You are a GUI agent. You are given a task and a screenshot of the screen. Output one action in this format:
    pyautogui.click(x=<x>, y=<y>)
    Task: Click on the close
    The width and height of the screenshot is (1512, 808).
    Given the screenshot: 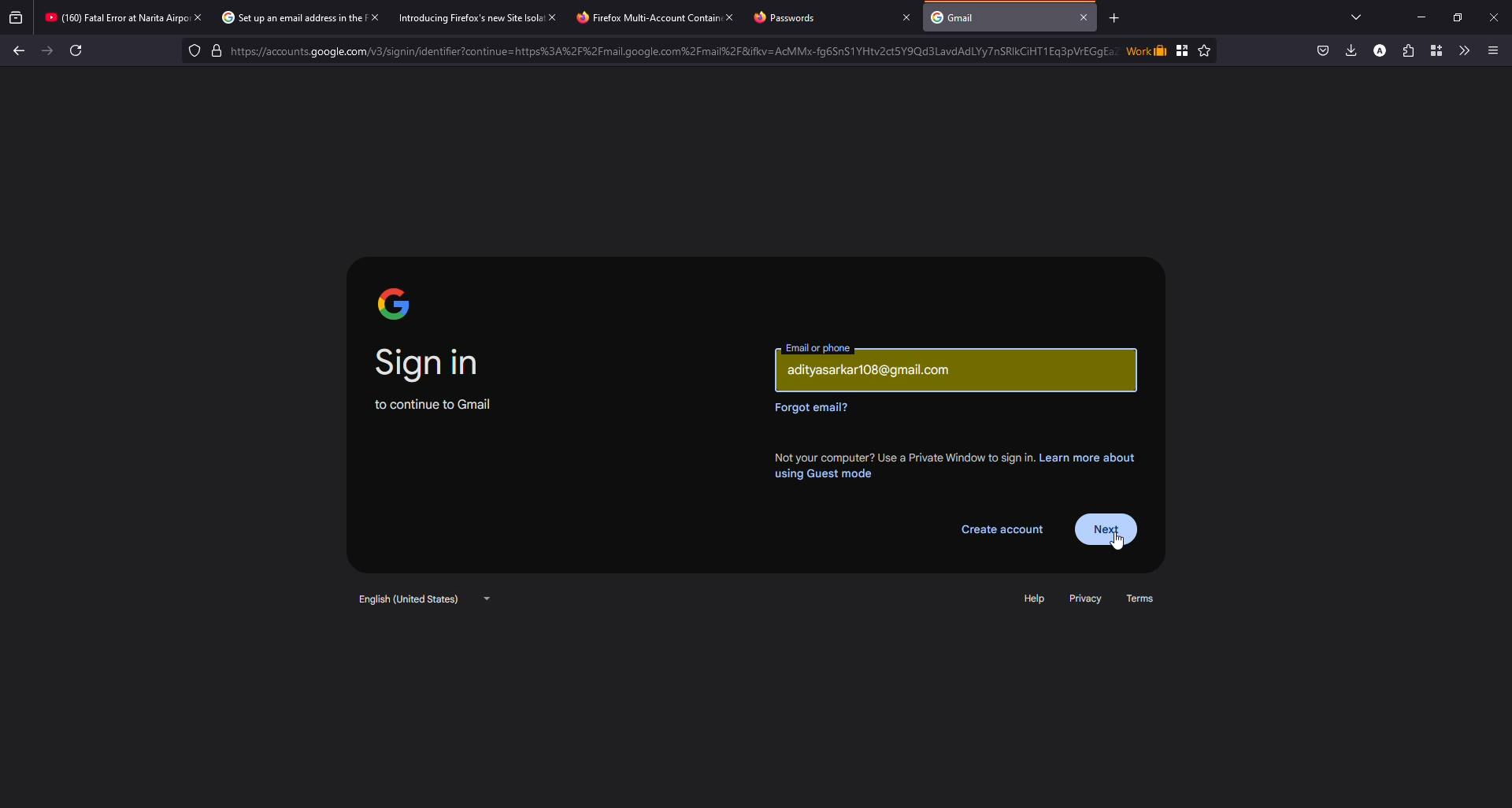 What is the action you would take?
    pyautogui.click(x=1086, y=17)
    